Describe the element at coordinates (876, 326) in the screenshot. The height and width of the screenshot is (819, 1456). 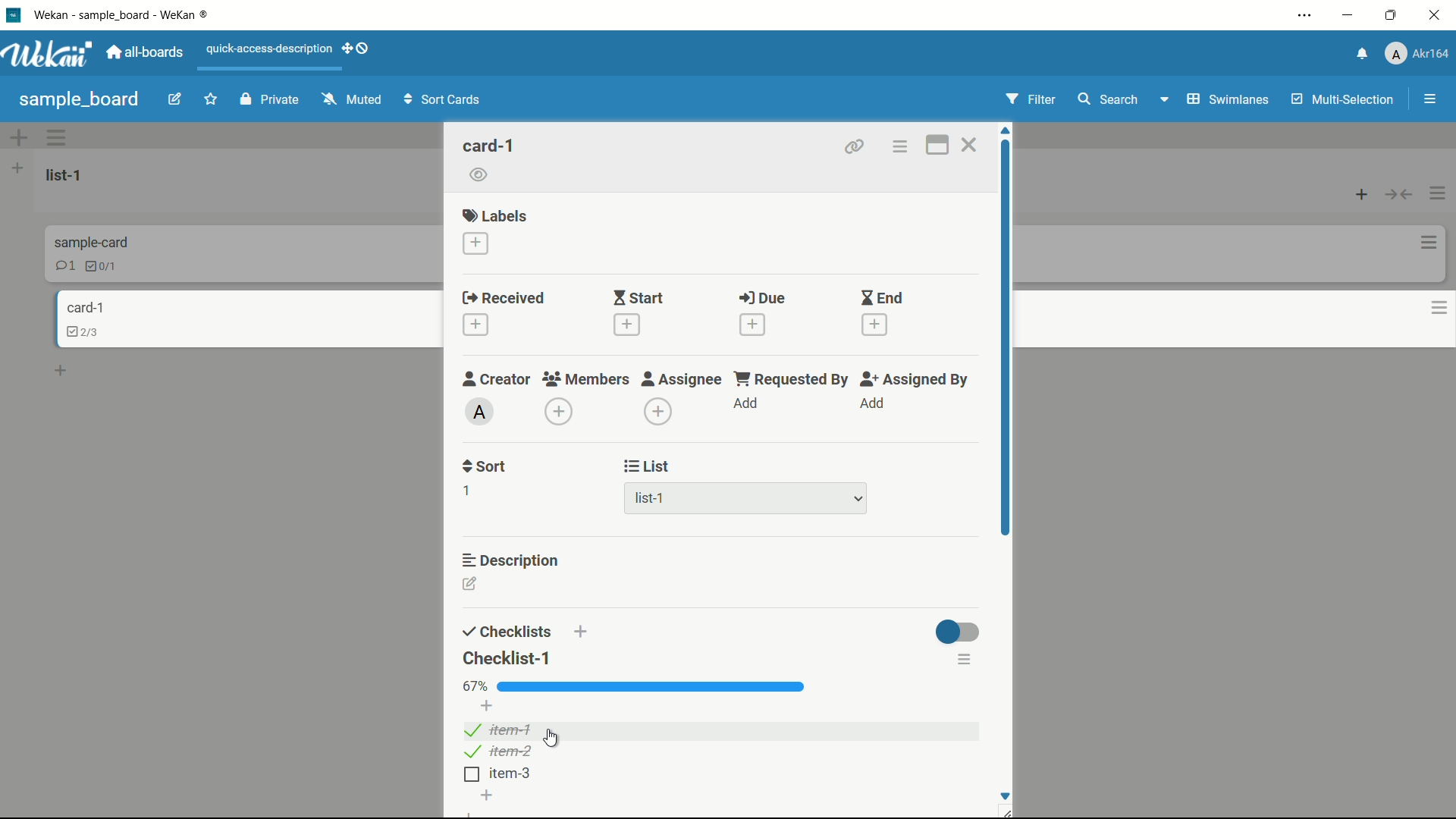
I see `add date` at that location.